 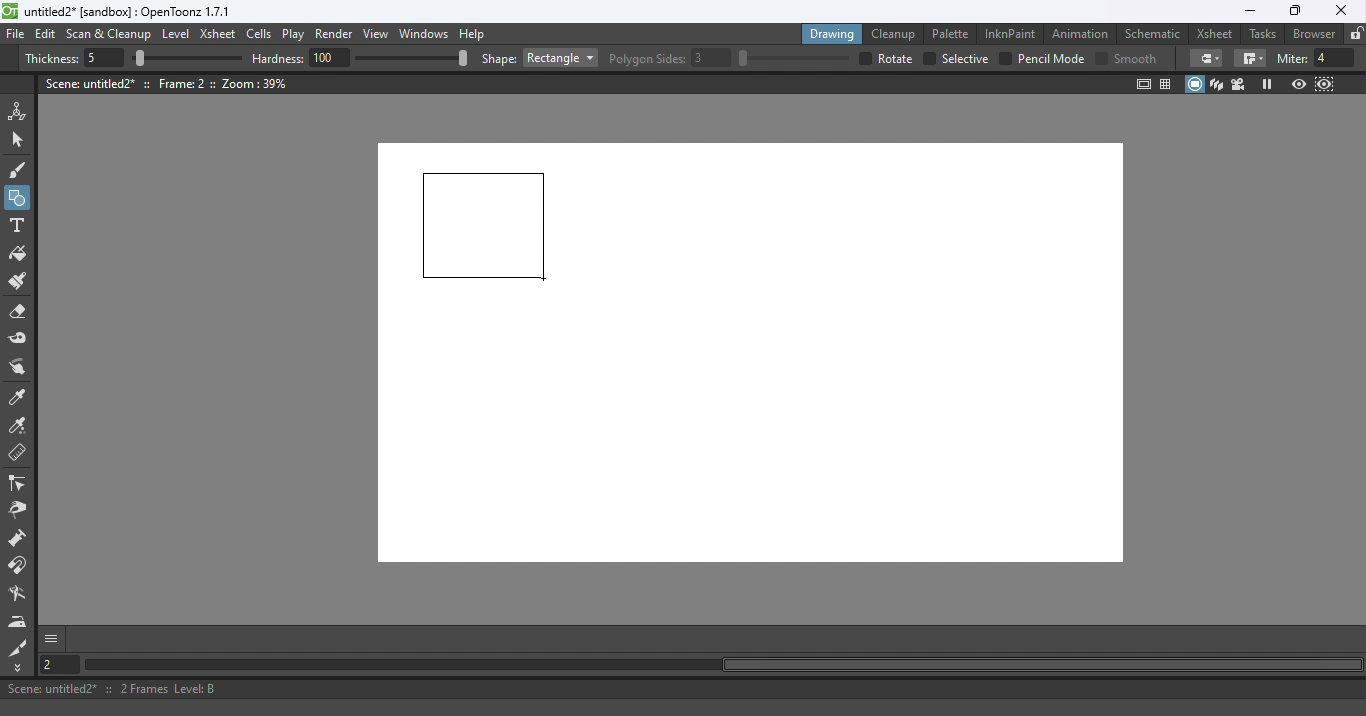 I want to click on drawing cursor, so click(x=547, y=280).